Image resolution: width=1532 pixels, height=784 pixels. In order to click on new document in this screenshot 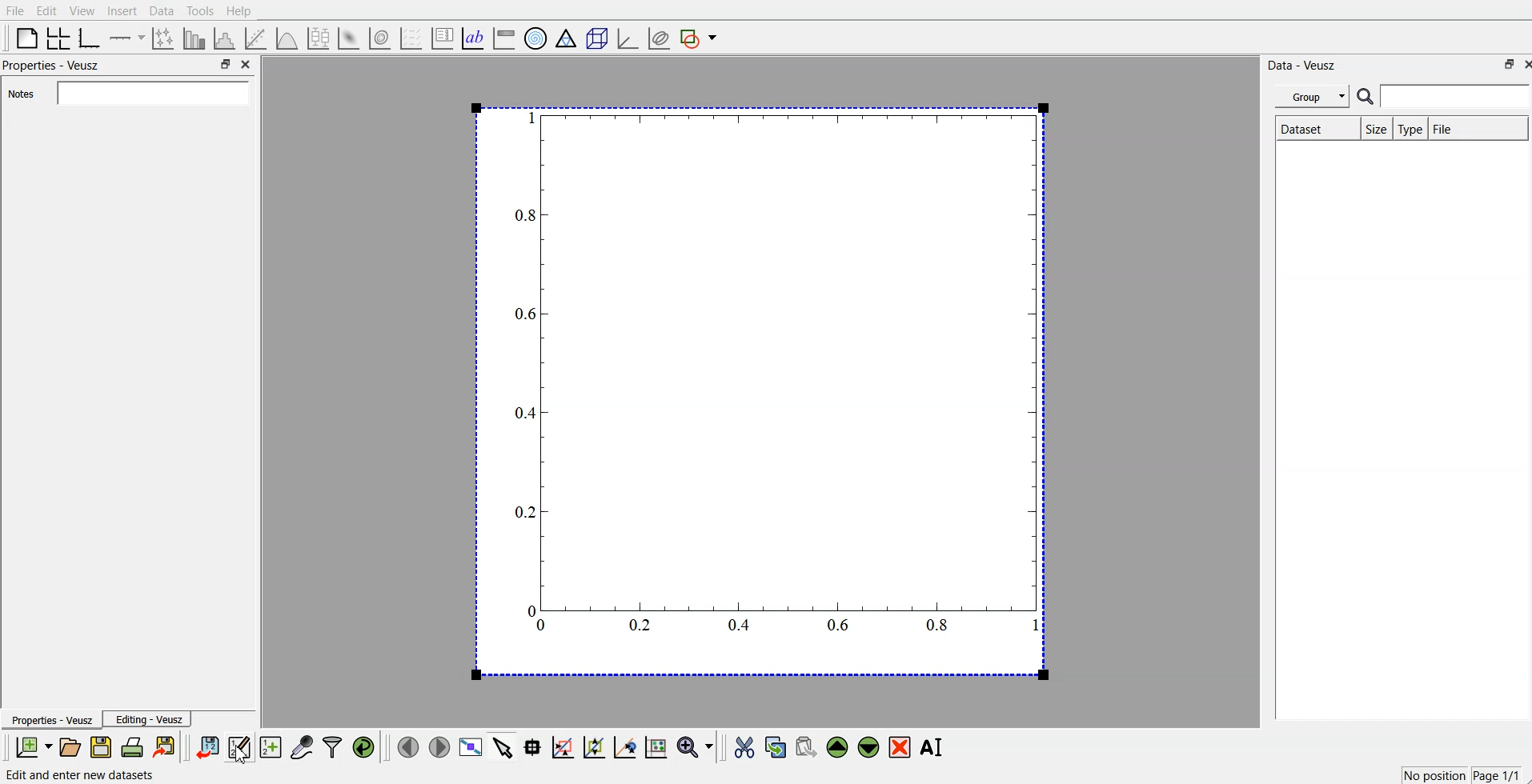, I will do `click(35, 746)`.